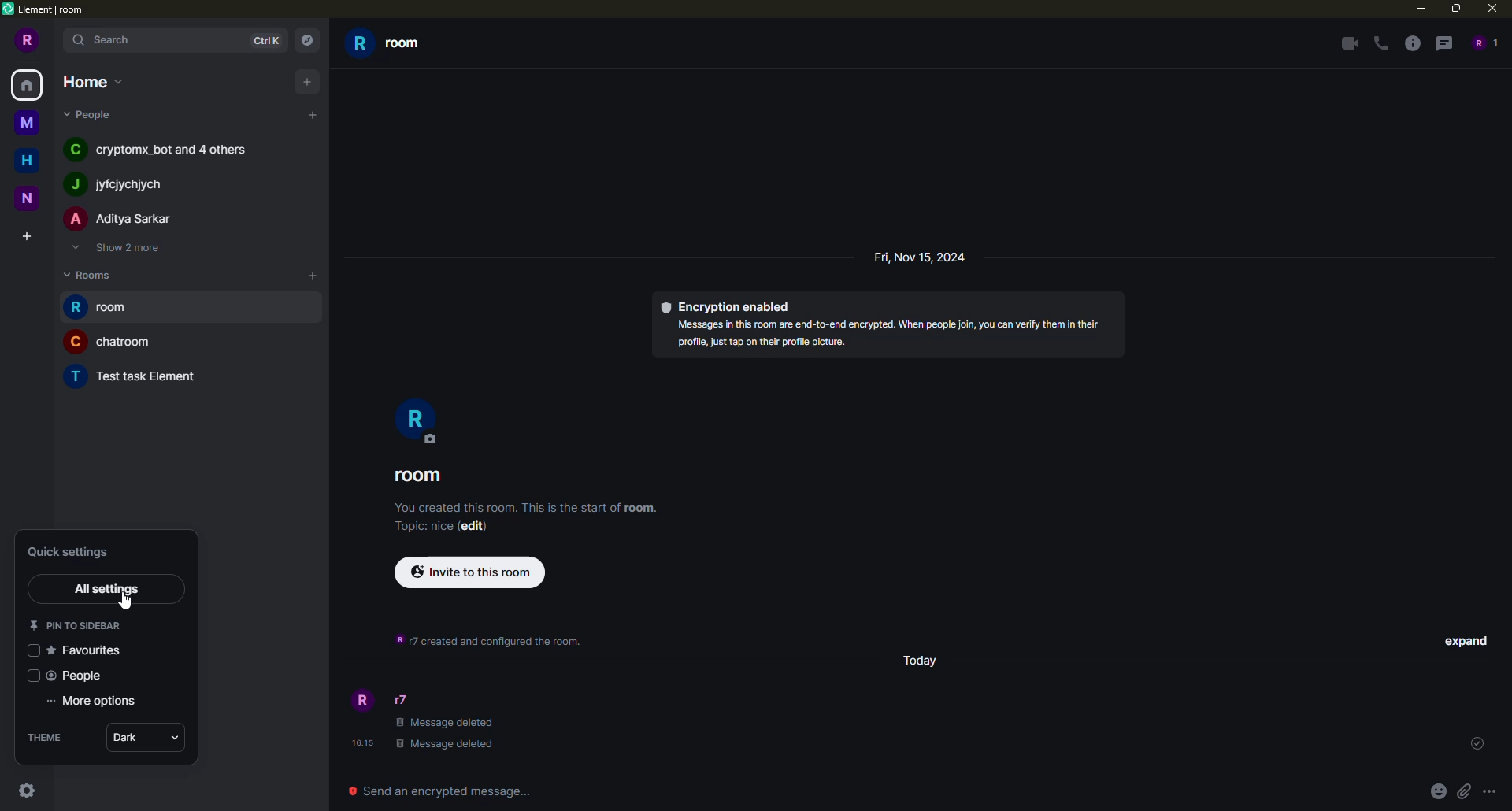  What do you see at coordinates (1383, 44) in the screenshot?
I see `voice call` at bounding box center [1383, 44].